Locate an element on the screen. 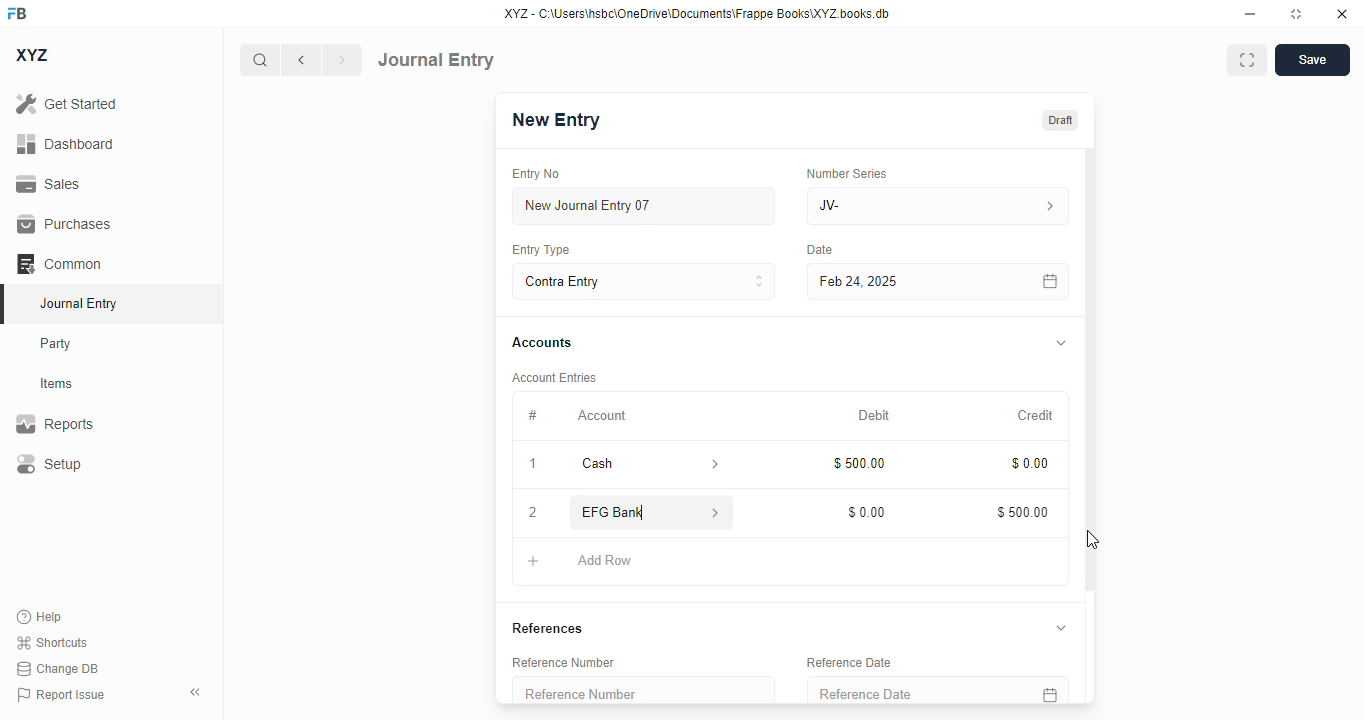 Image resolution: width=1364 pixels, height=720 pixels. party is located at coordinates (58, 344).